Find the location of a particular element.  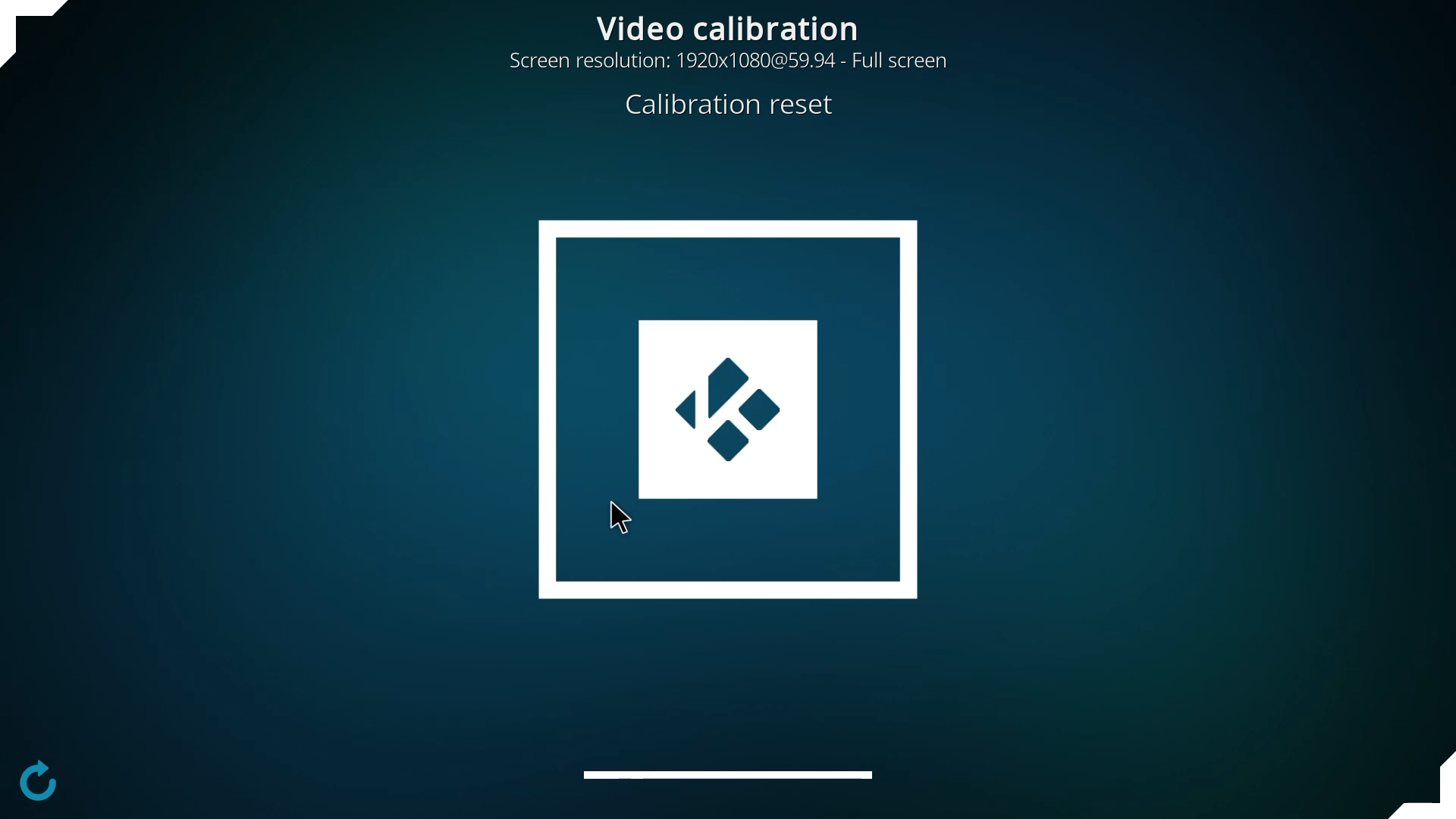

adjust is located at coordinates (51, 34).